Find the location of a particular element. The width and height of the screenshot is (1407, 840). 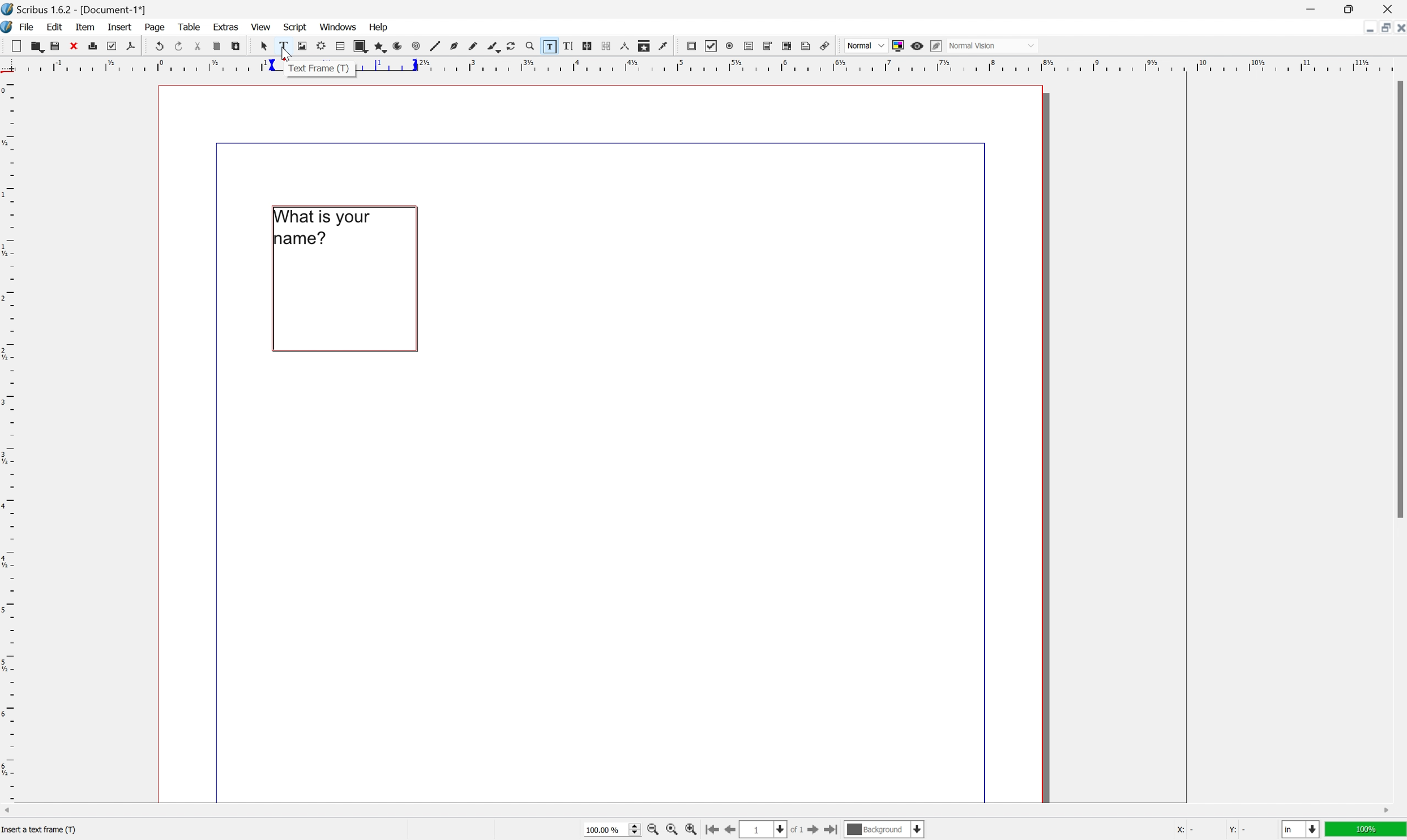

application logo is located at coordinates (9, 28).